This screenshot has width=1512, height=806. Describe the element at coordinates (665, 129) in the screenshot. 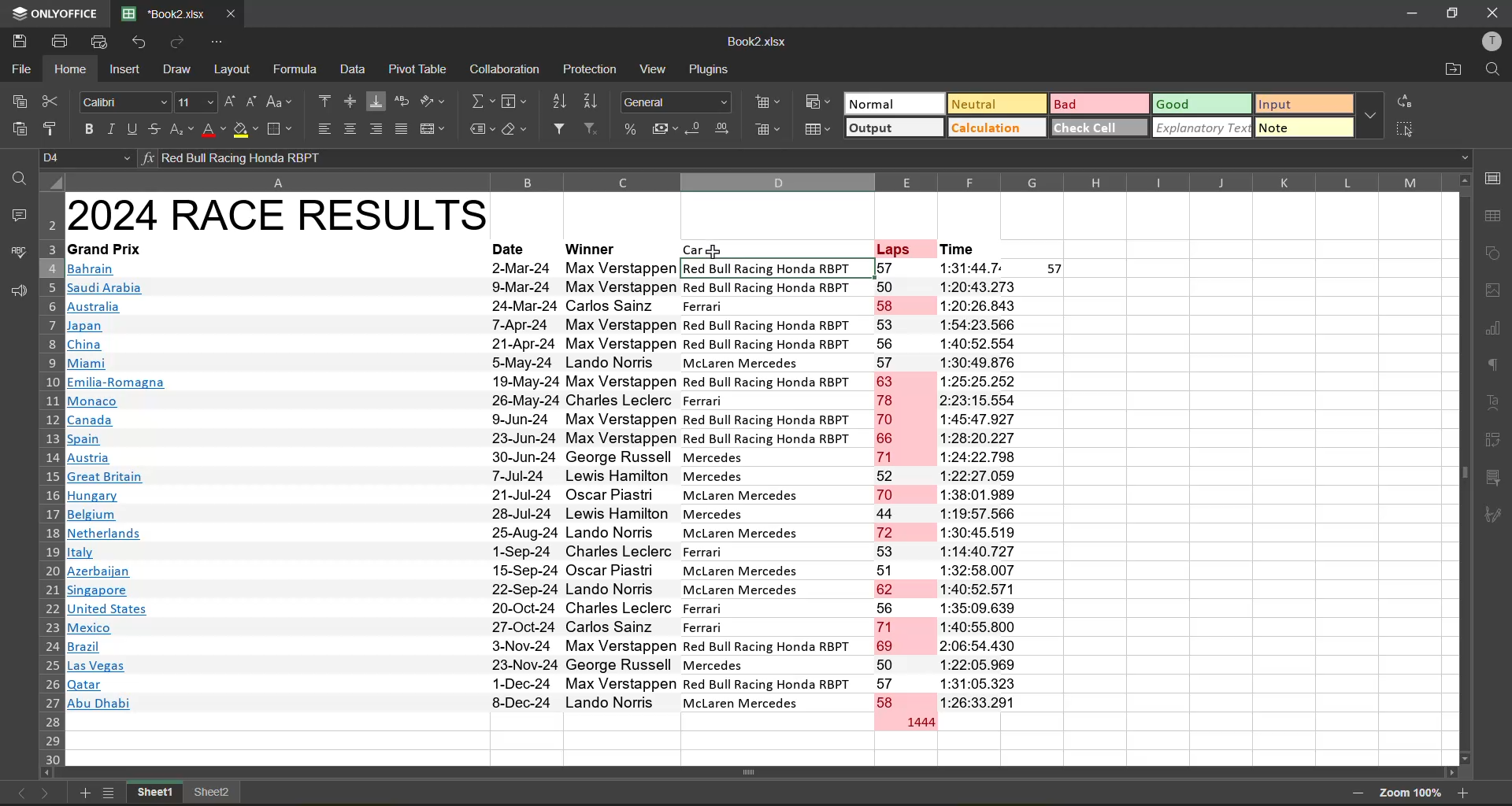

I see `accounting` at that location.